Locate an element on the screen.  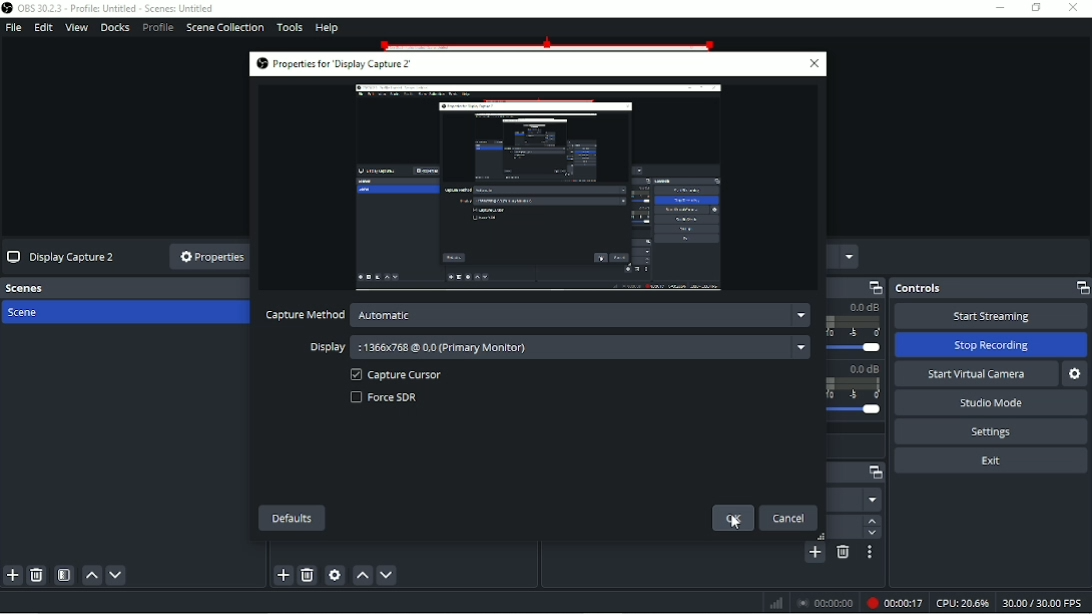
Pointer is located at coordinates (738, 531).